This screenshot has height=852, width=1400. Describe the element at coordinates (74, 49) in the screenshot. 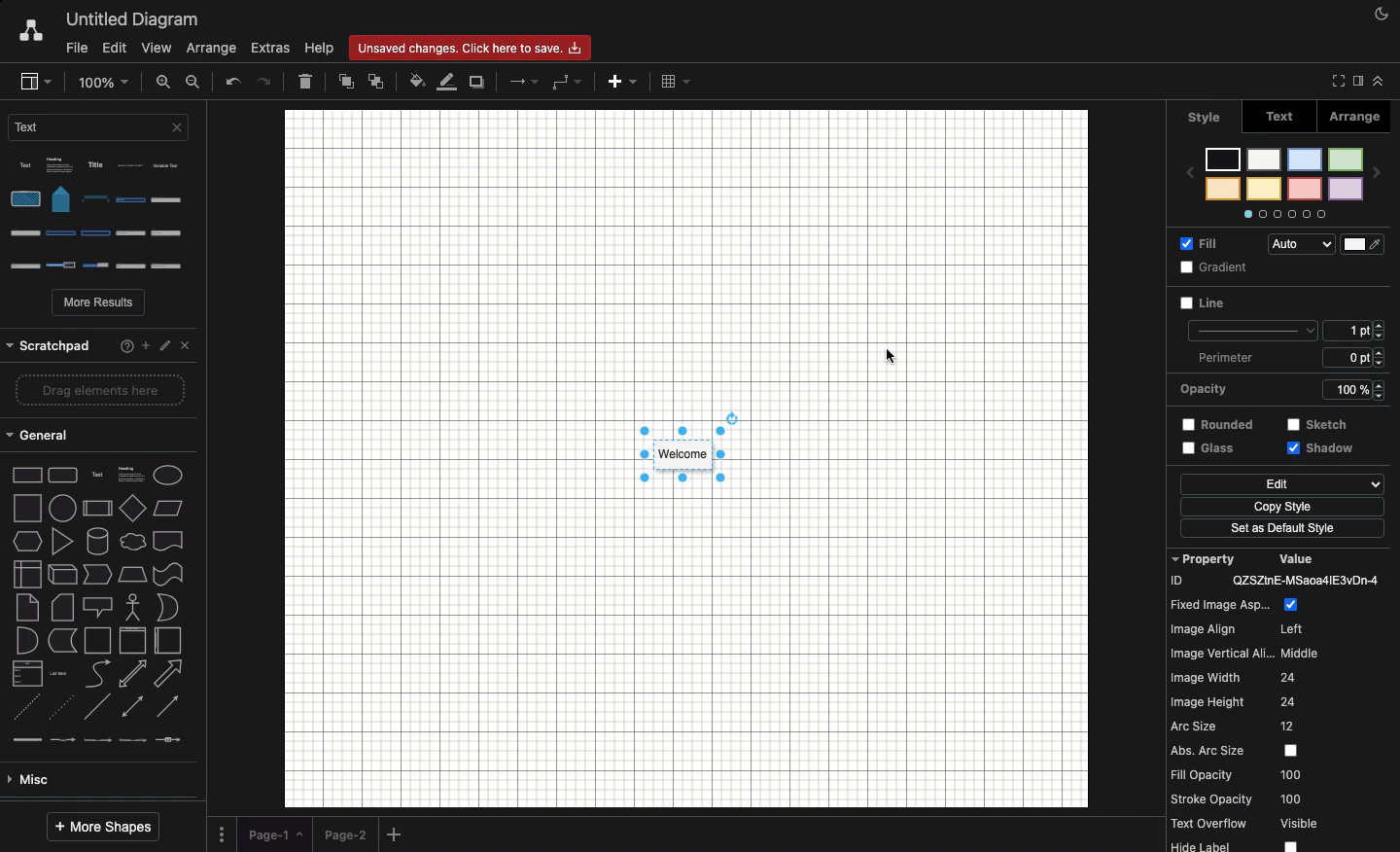

I see `File` at that location.